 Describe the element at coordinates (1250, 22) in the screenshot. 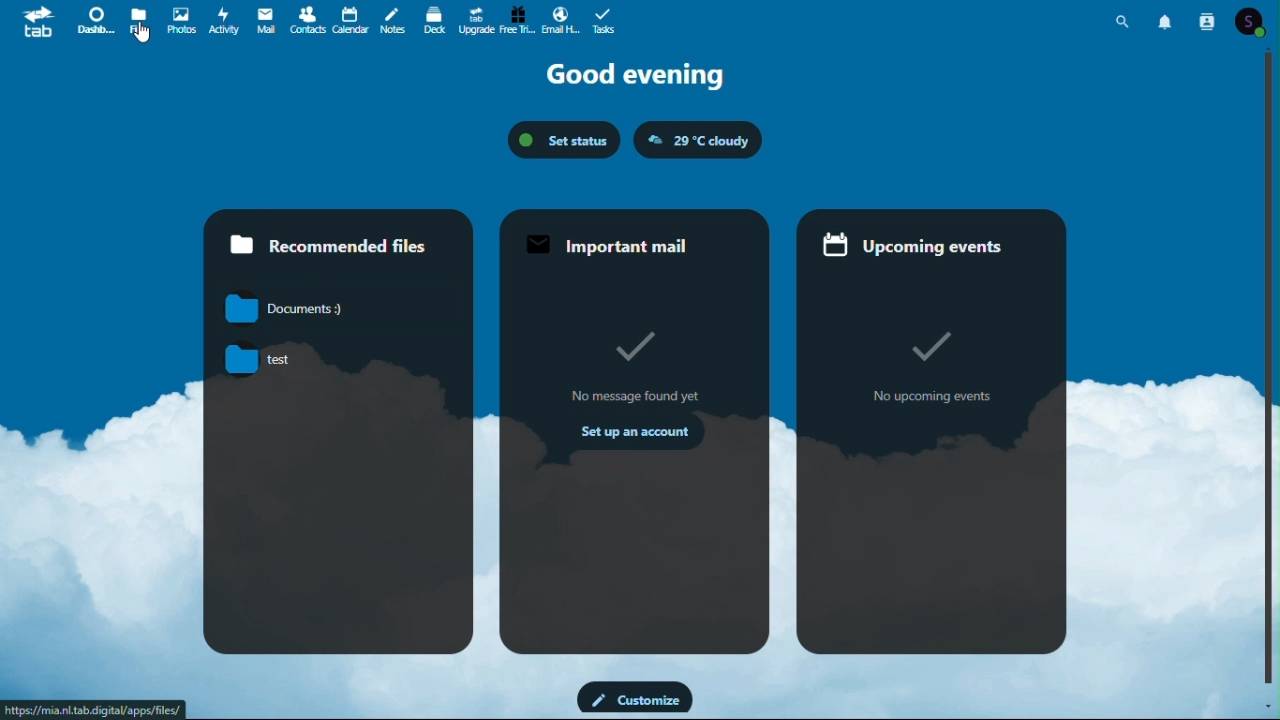

I see `Account icon` at that location.